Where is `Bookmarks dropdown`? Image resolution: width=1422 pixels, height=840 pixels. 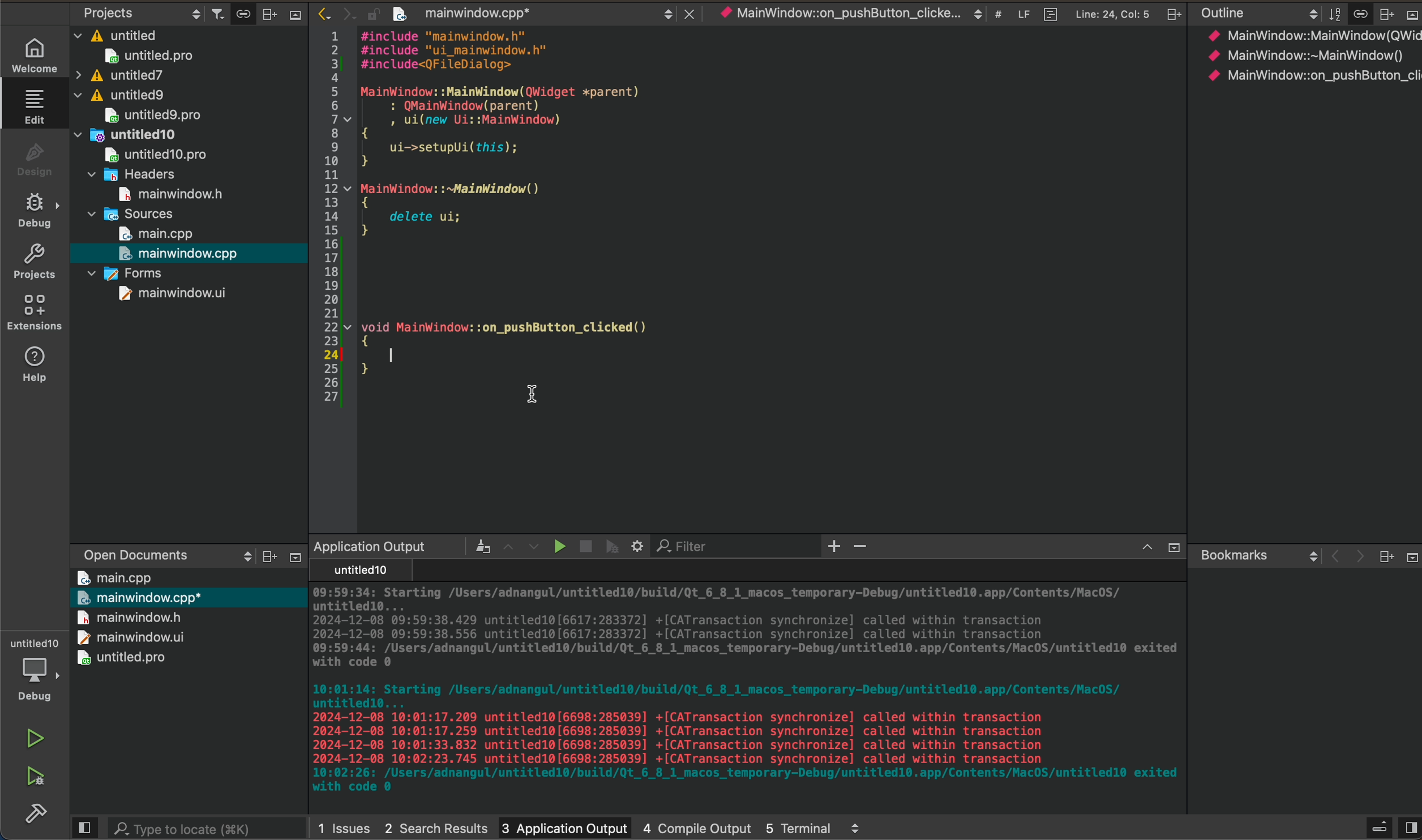
Bookmarks dropdown is located at coordinates (1256, 554).